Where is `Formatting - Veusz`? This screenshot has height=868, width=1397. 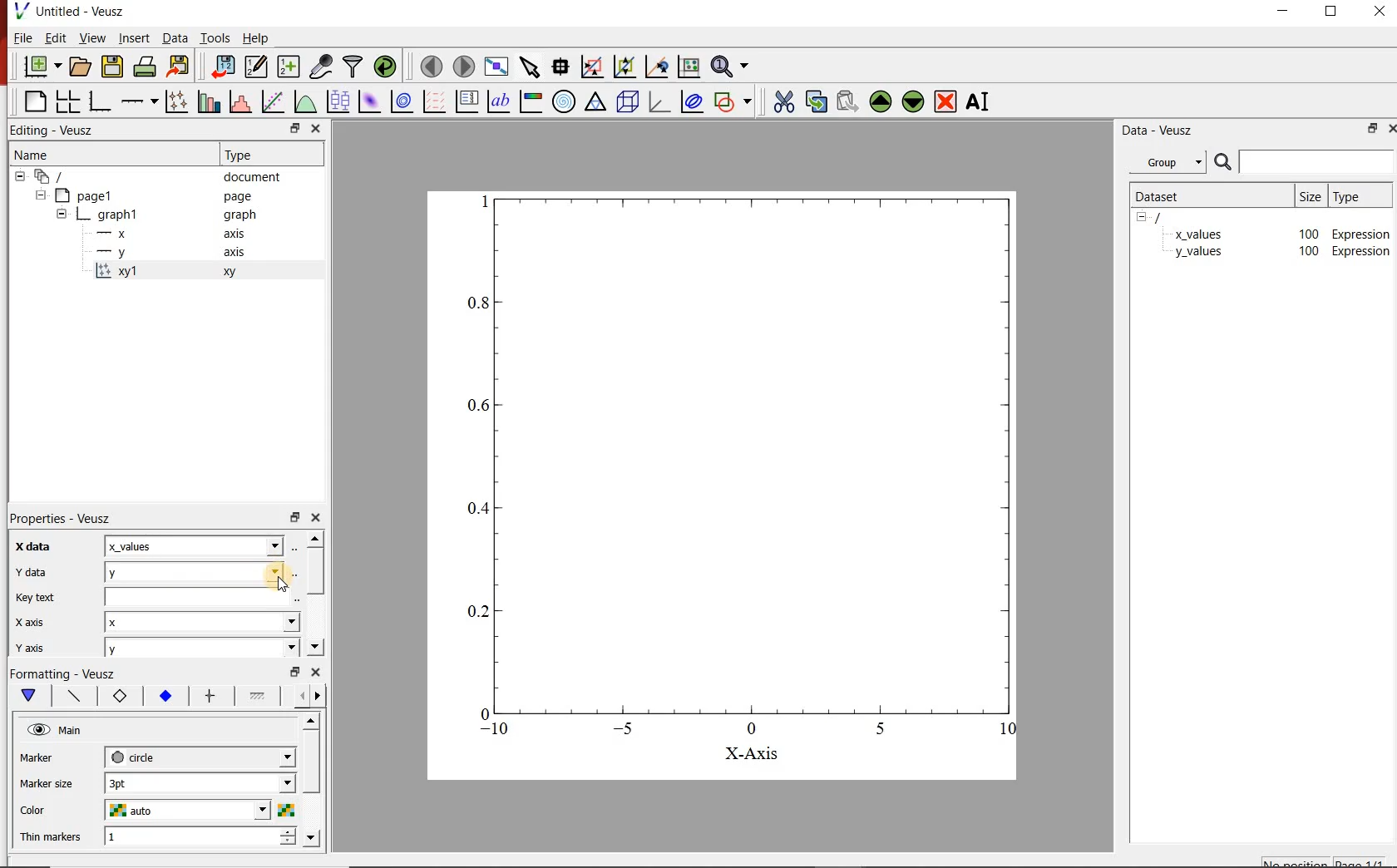 Formatting - Veusz is located at coordinates (67, 673).